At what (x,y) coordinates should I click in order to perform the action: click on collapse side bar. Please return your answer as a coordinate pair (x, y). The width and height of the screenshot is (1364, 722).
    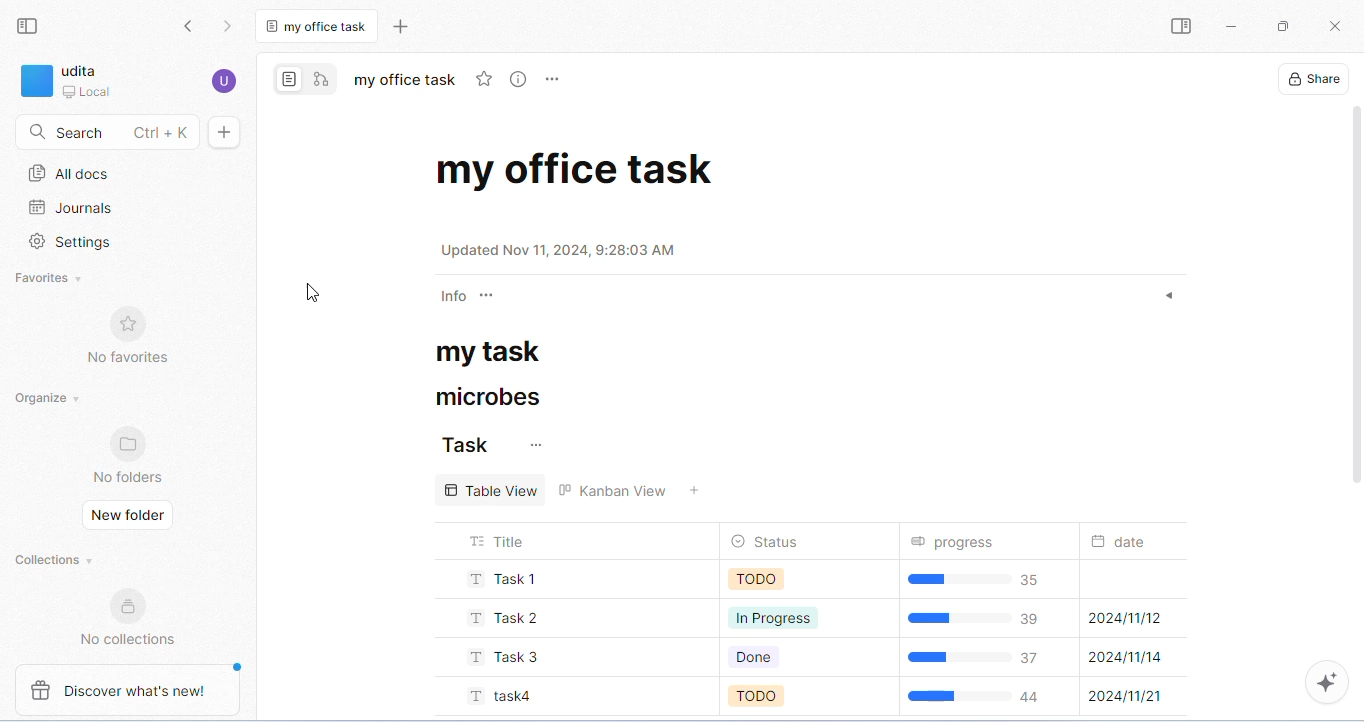
    Looking at the image, I should click on (31, 28).